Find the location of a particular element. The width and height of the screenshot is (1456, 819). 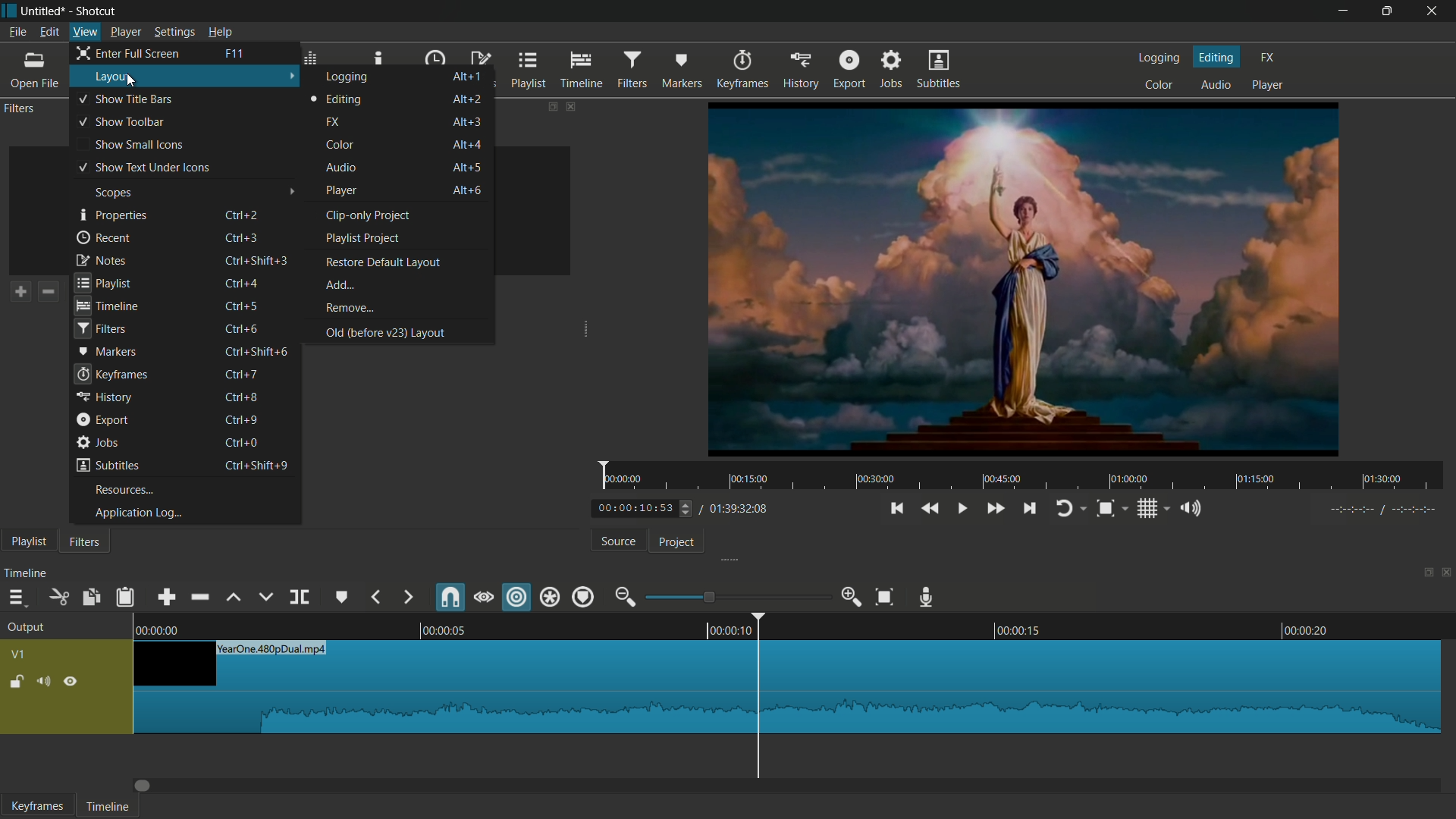

notes is located at coordinates (101, 259).